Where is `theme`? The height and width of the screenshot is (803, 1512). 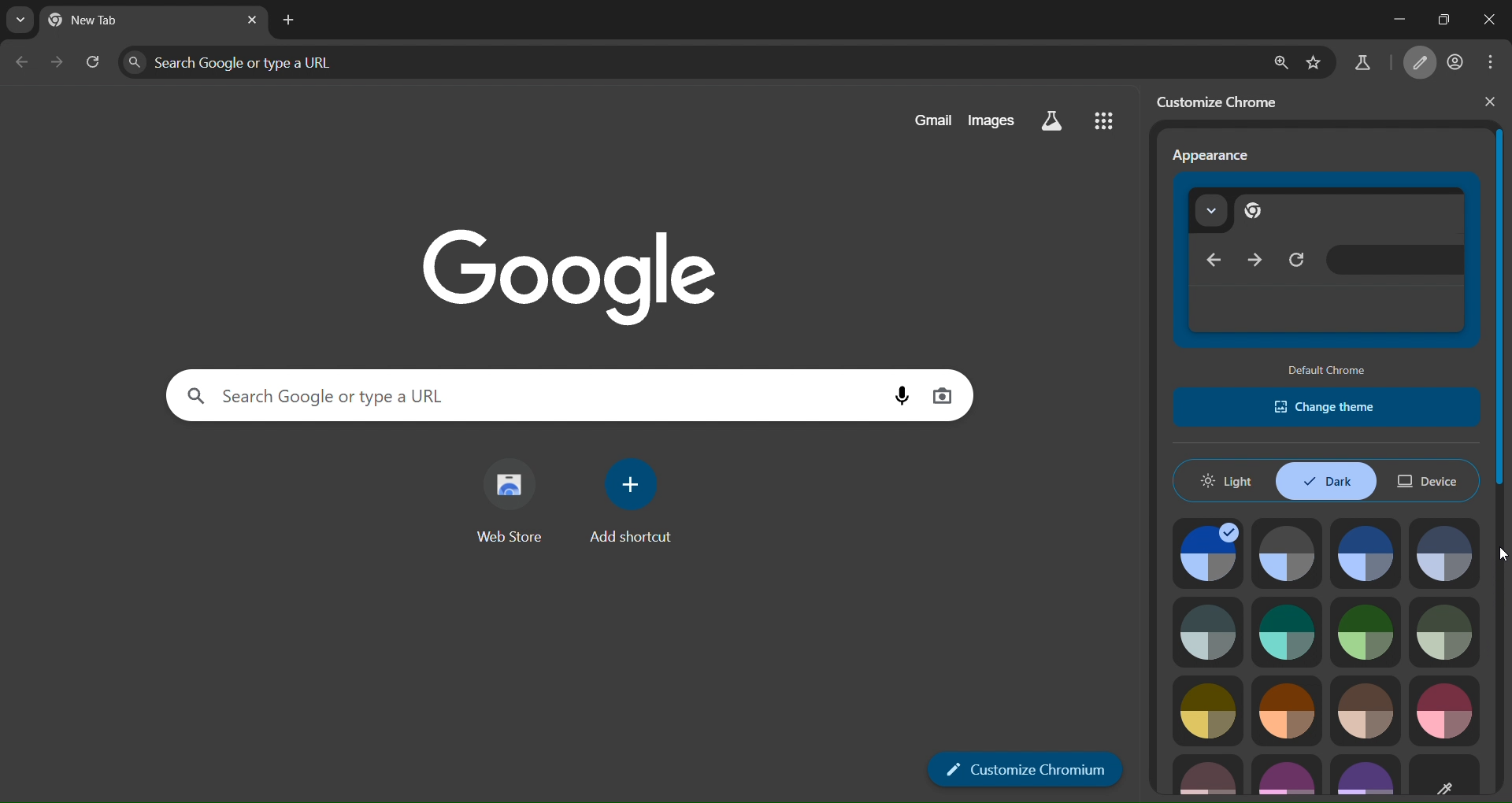
theme is located at coordinates (1211, 554).